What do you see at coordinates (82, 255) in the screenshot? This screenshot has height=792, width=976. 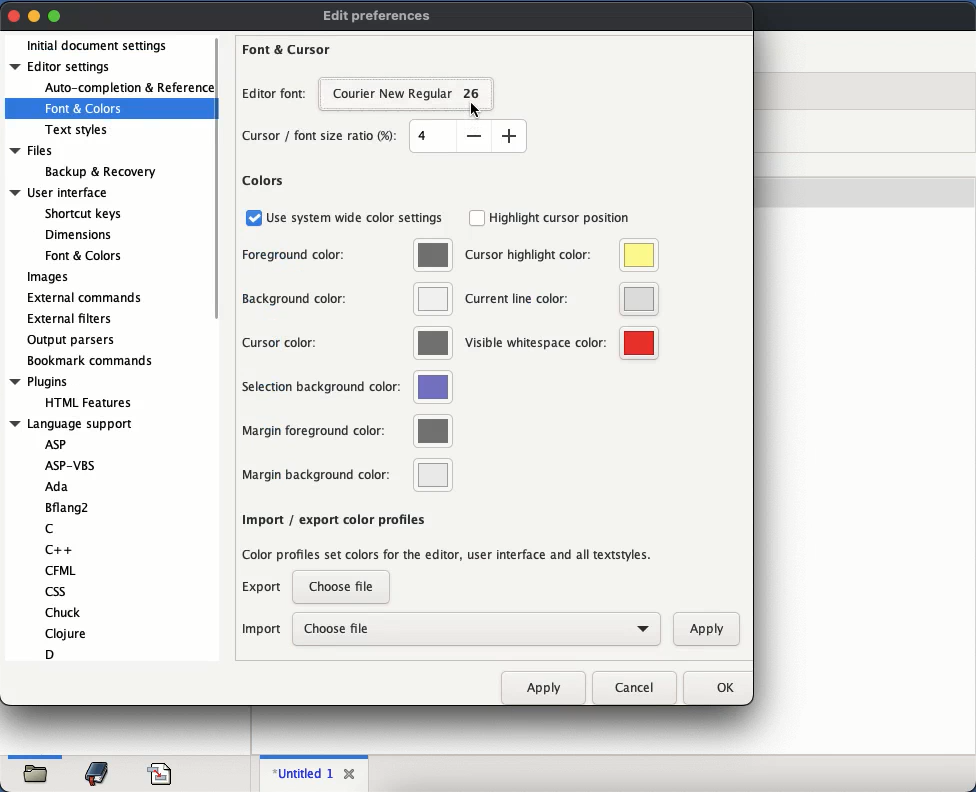 I see `Font & Colors` at bounding box center [82, 255].